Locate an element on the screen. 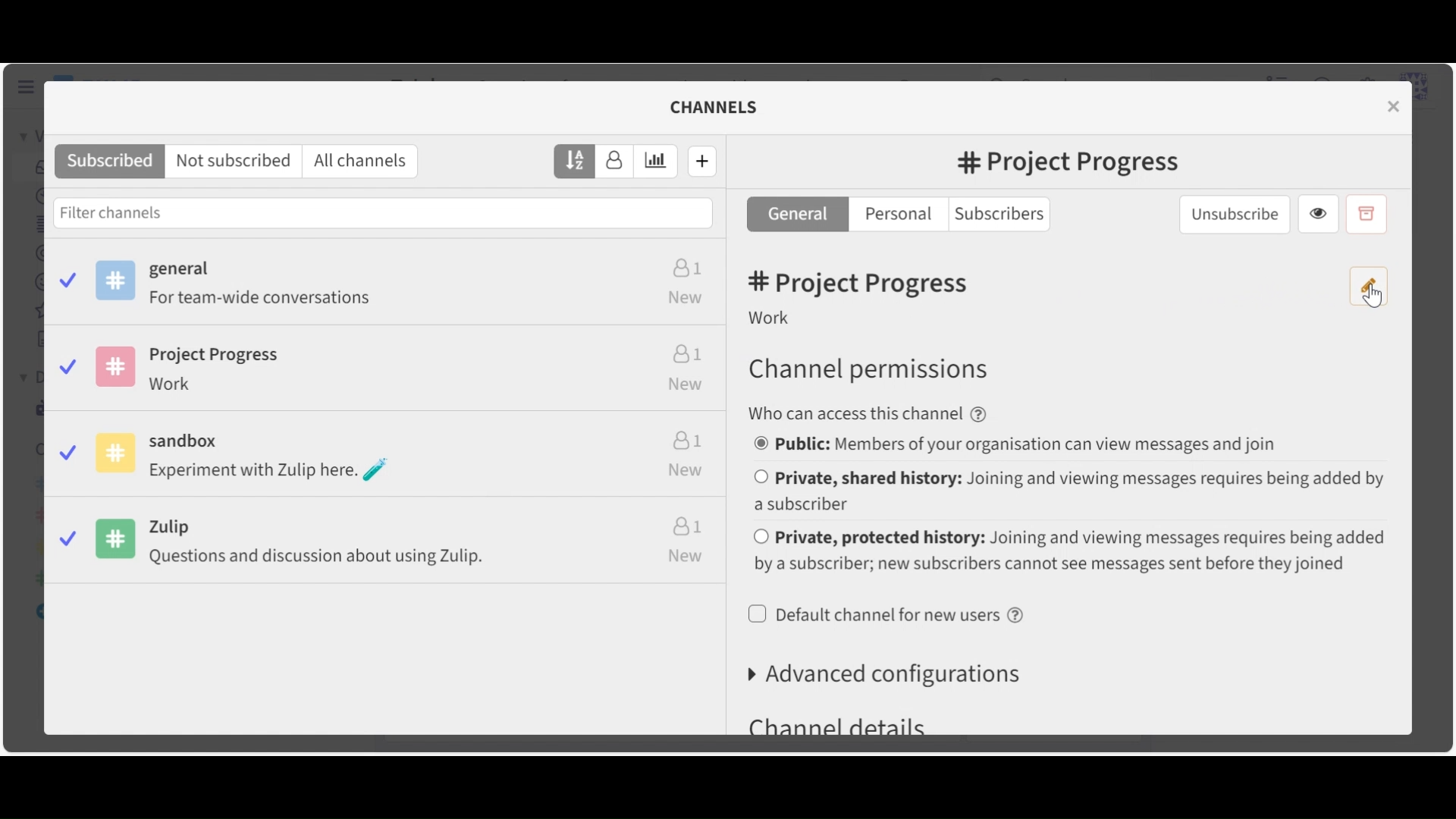  Sort by subscribers is located at coordinates (615, 160).